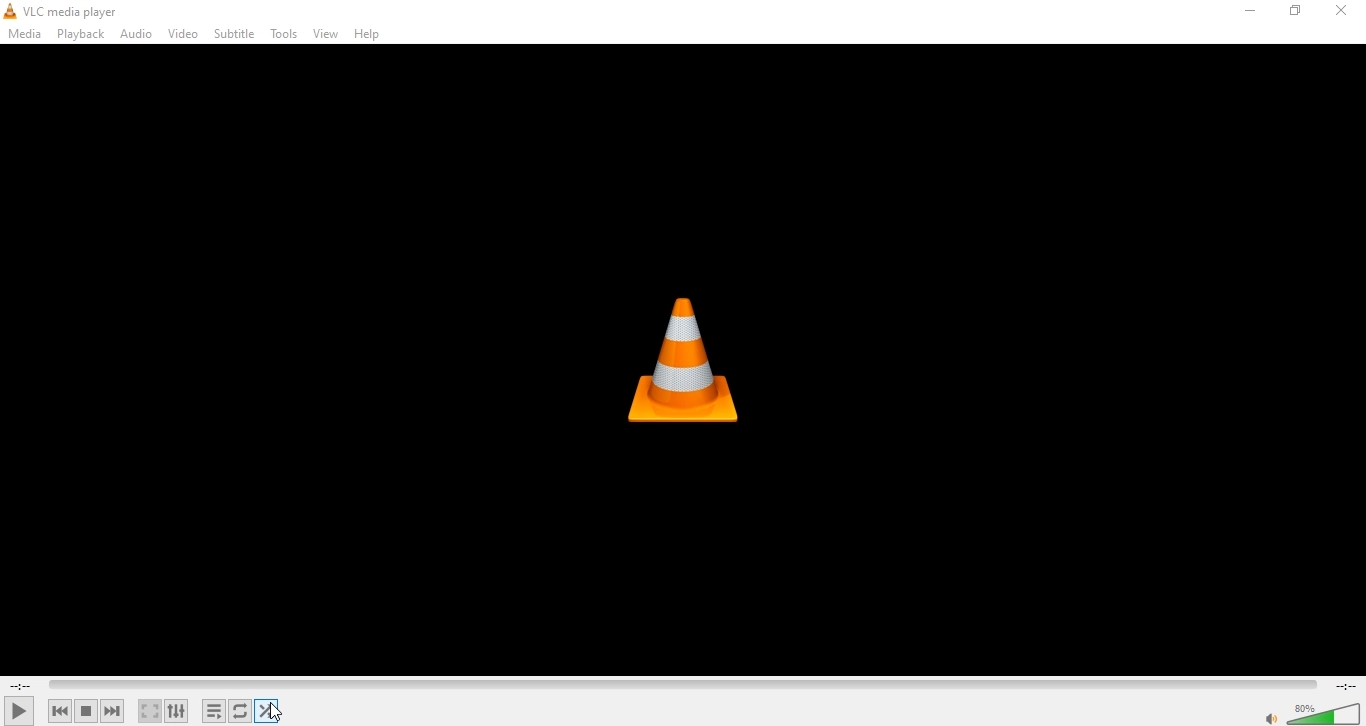 The width and height of the screenshot is (1366, 726). Describe the element at coordinates (19, 709) in the screenshot. I see `play` at that location.